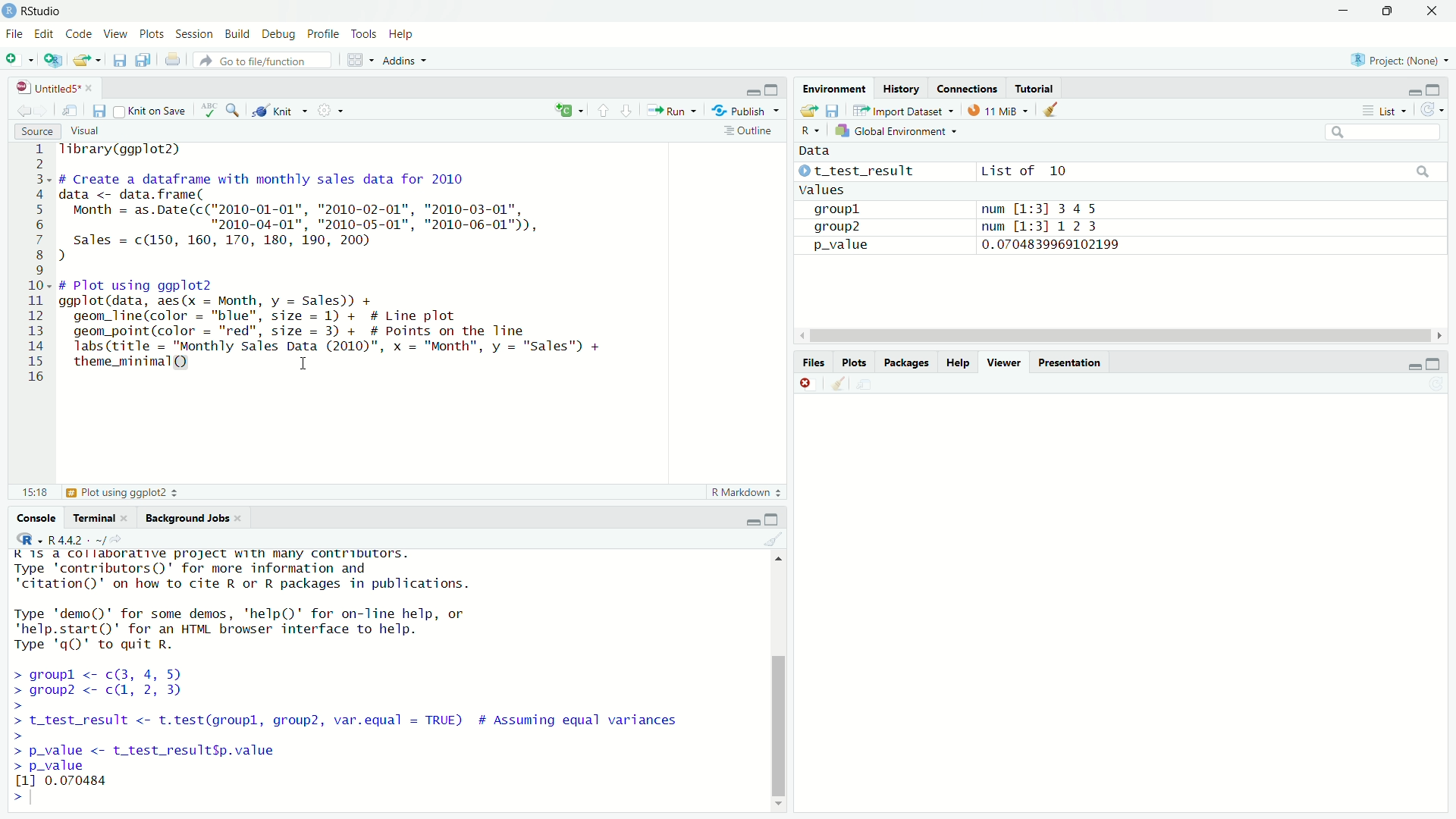  What do you see at coordinates (627, 111) in the screenshot?
I see `go to next section` at bounding box center [627, 111].